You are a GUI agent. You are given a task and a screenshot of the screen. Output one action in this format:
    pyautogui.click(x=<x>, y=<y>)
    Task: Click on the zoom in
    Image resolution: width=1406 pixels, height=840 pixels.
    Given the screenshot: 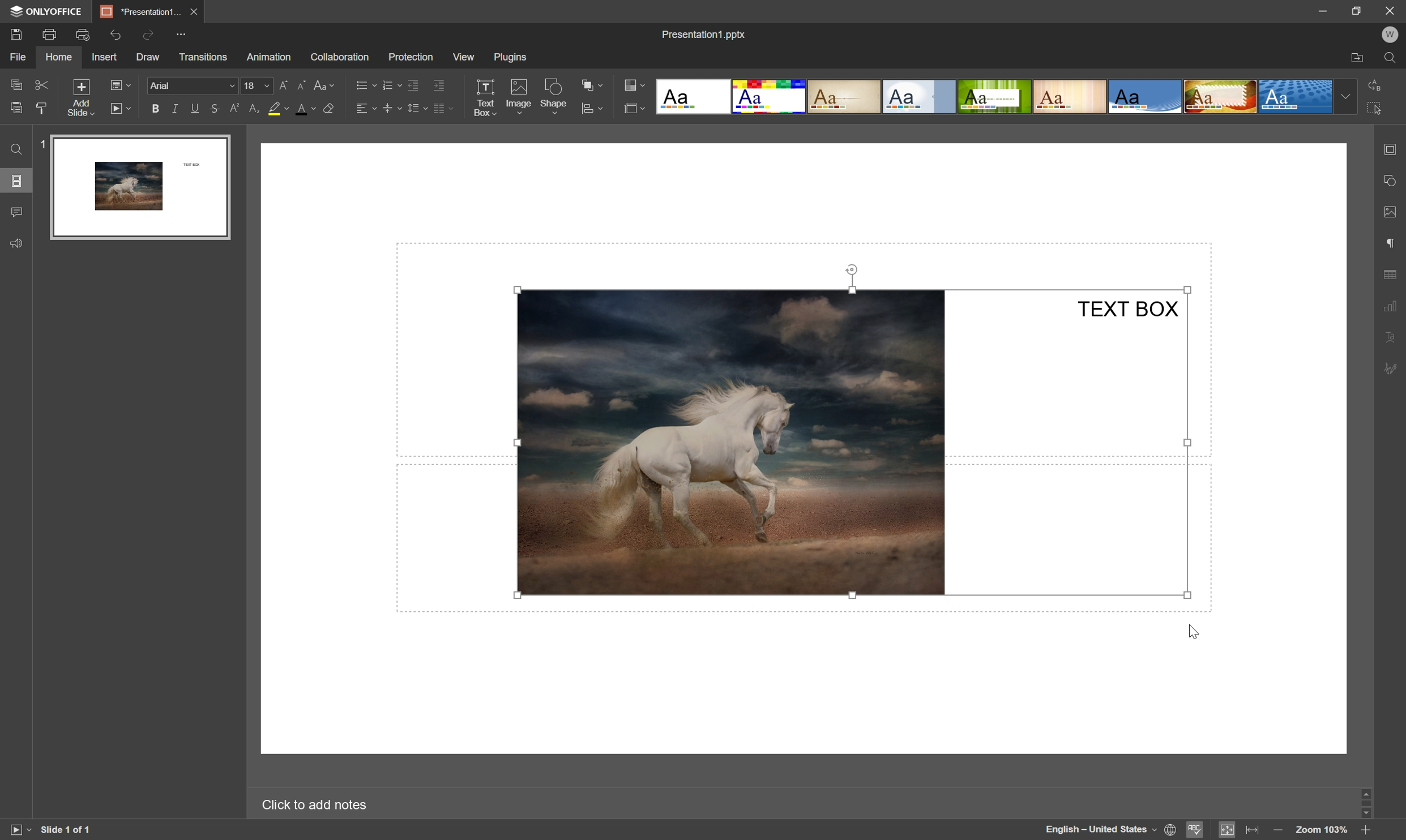 What is the action you would take?
    pyautogui.click(x=1366, y=831)
    